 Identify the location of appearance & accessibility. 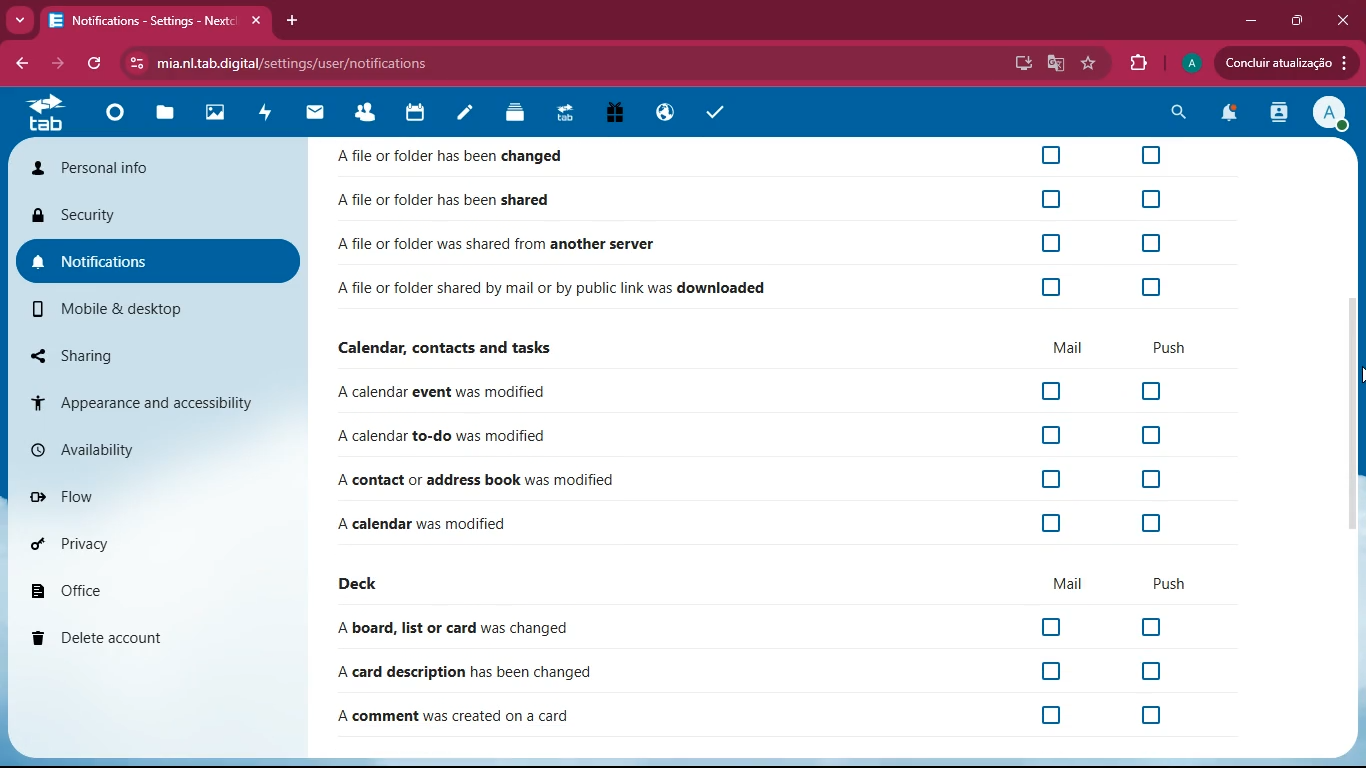
(157, 398).